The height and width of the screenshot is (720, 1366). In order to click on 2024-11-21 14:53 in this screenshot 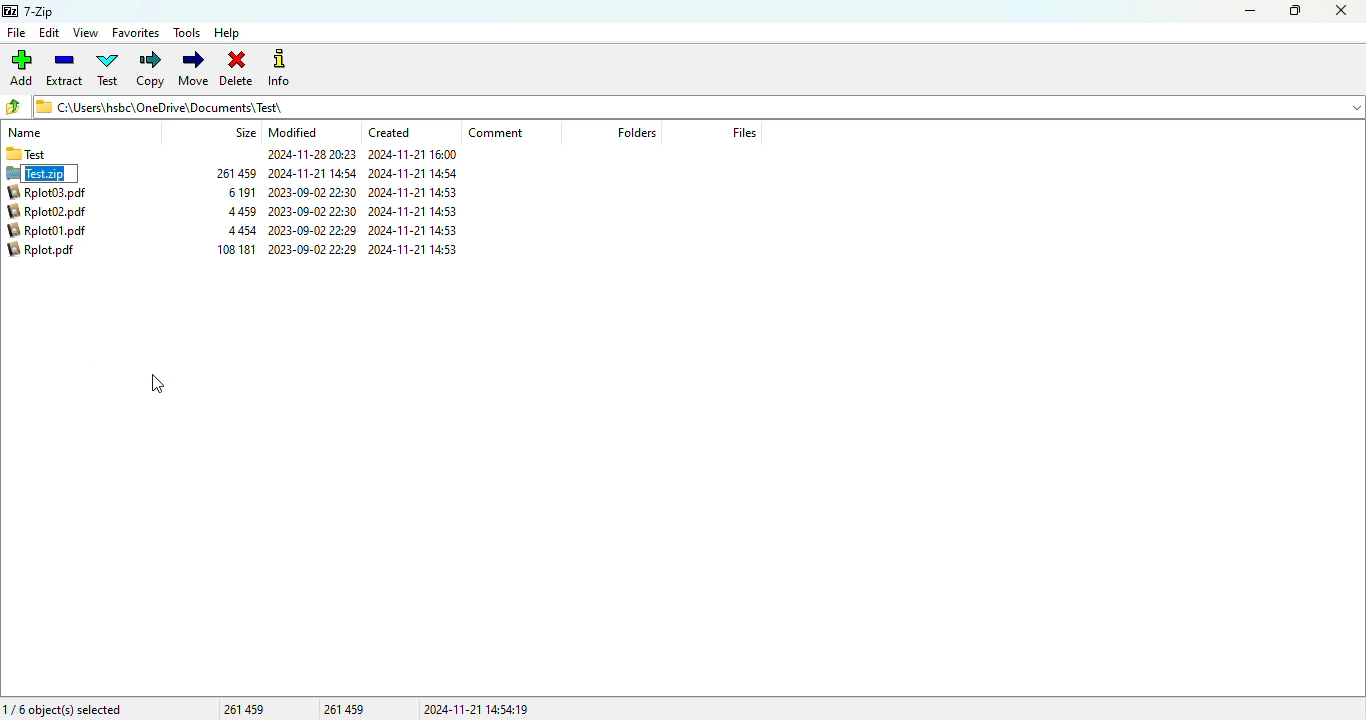, I will do `click(418, 210)`.